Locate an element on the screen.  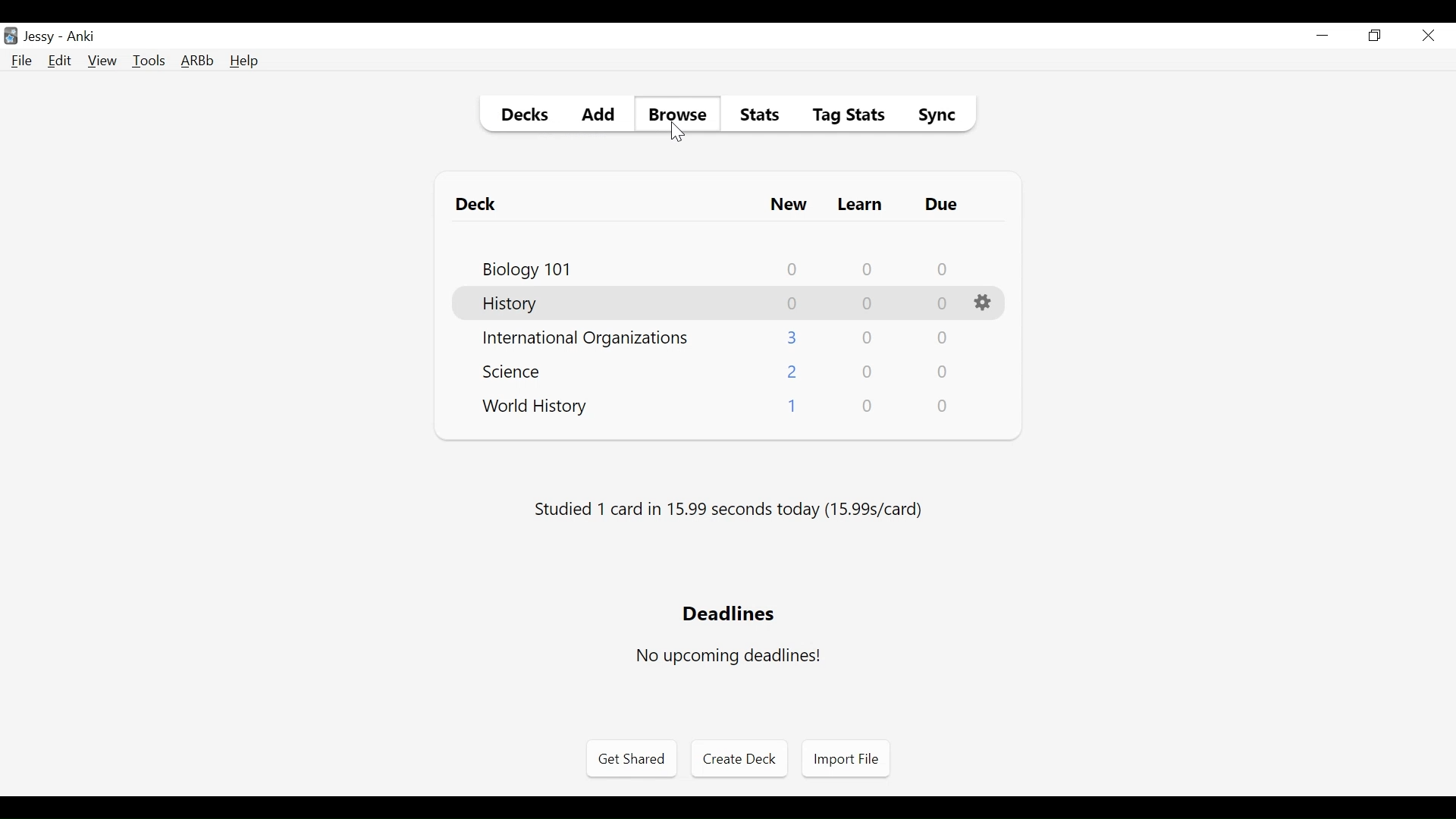
Cursor is located at coordinates (676, 135).